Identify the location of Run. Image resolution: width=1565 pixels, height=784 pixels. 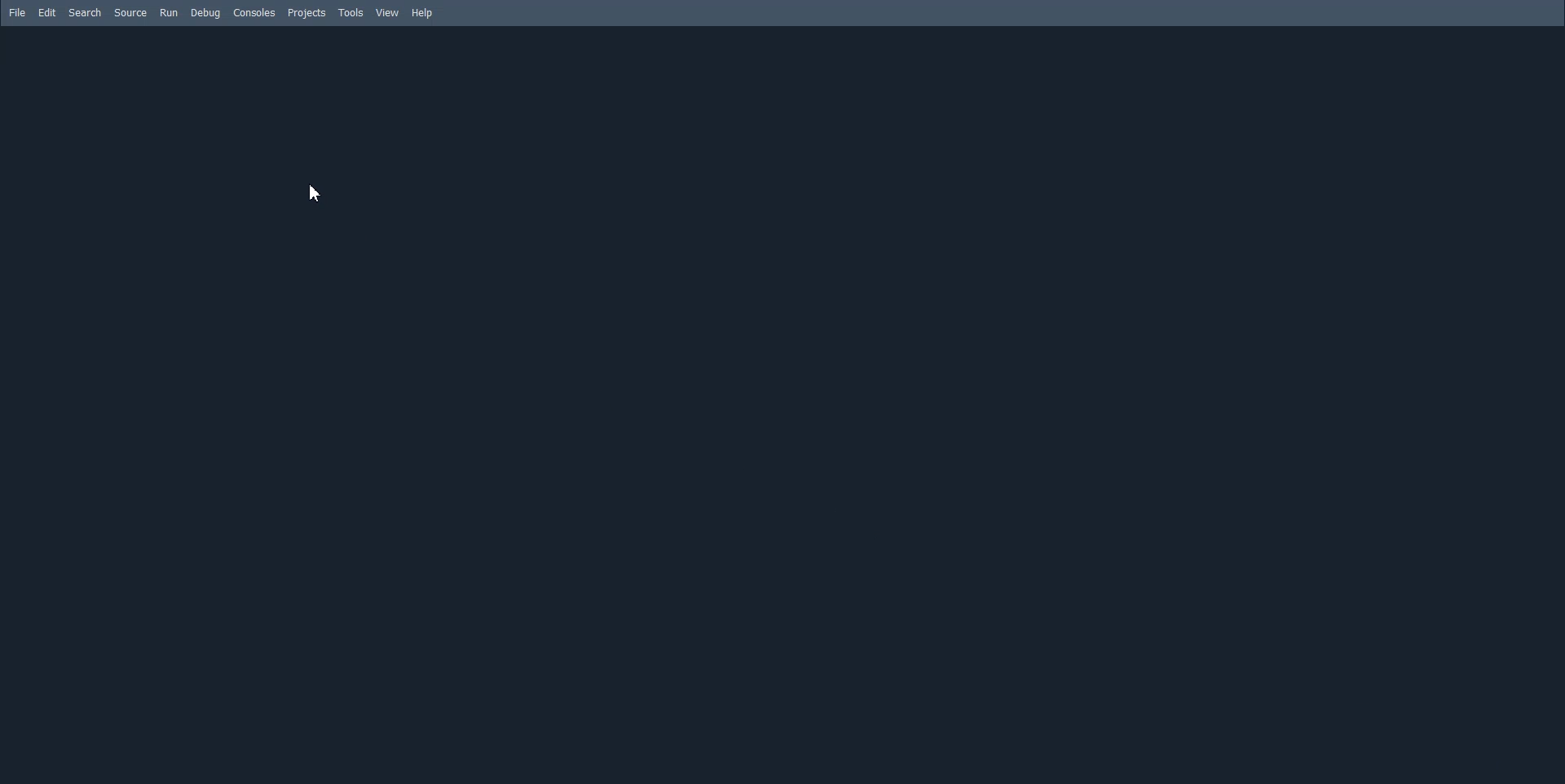
(169, 13).